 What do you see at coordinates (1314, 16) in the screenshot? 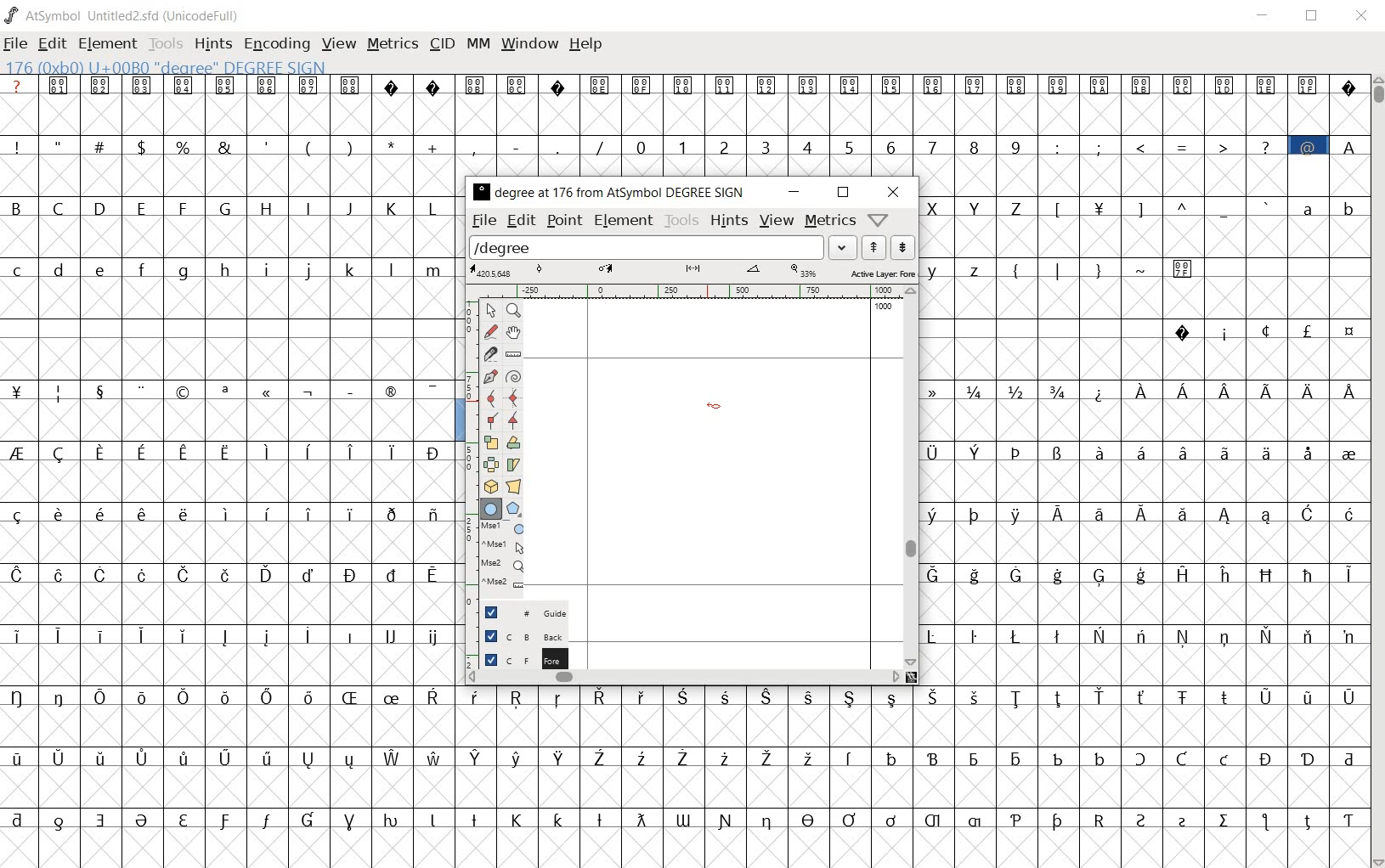
I see `restore down` at bounding box center [1314, 16].